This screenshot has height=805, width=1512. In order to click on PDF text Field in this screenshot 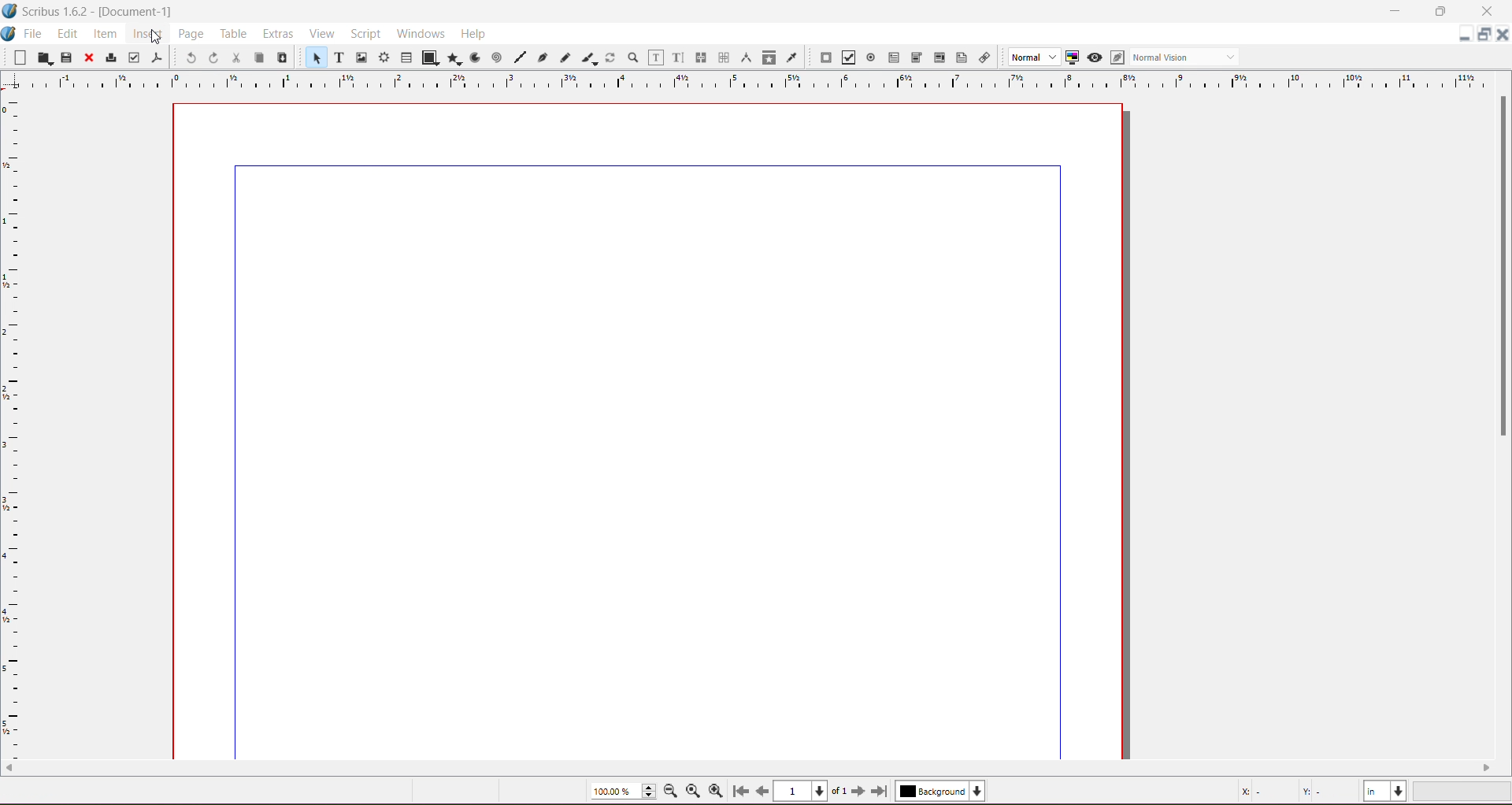, I will do `click(894, 57)`.